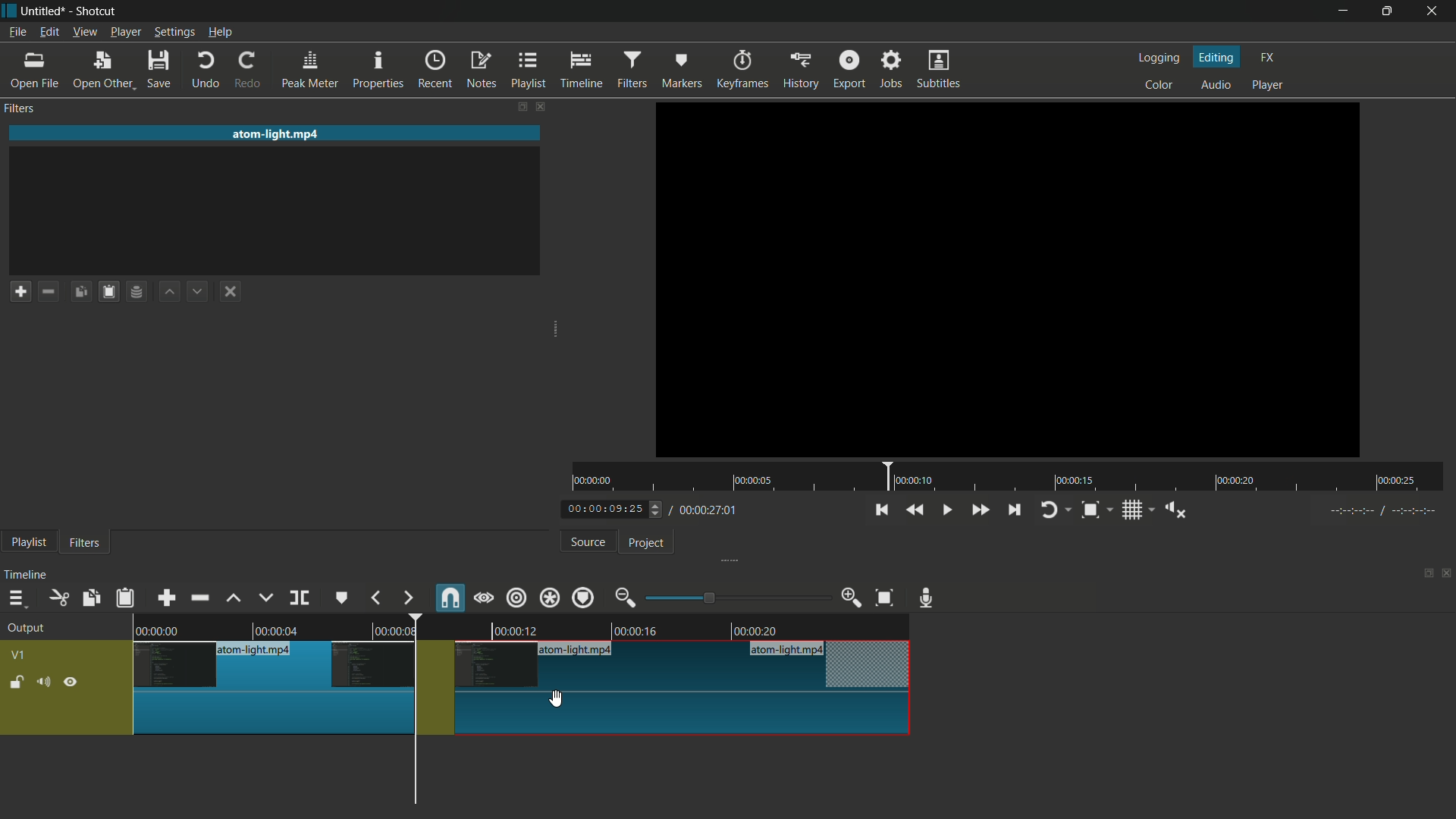  What do you see at coordinates (9, 11) in the screenshot?
I see `app icon` at bounding box center [9, 11].